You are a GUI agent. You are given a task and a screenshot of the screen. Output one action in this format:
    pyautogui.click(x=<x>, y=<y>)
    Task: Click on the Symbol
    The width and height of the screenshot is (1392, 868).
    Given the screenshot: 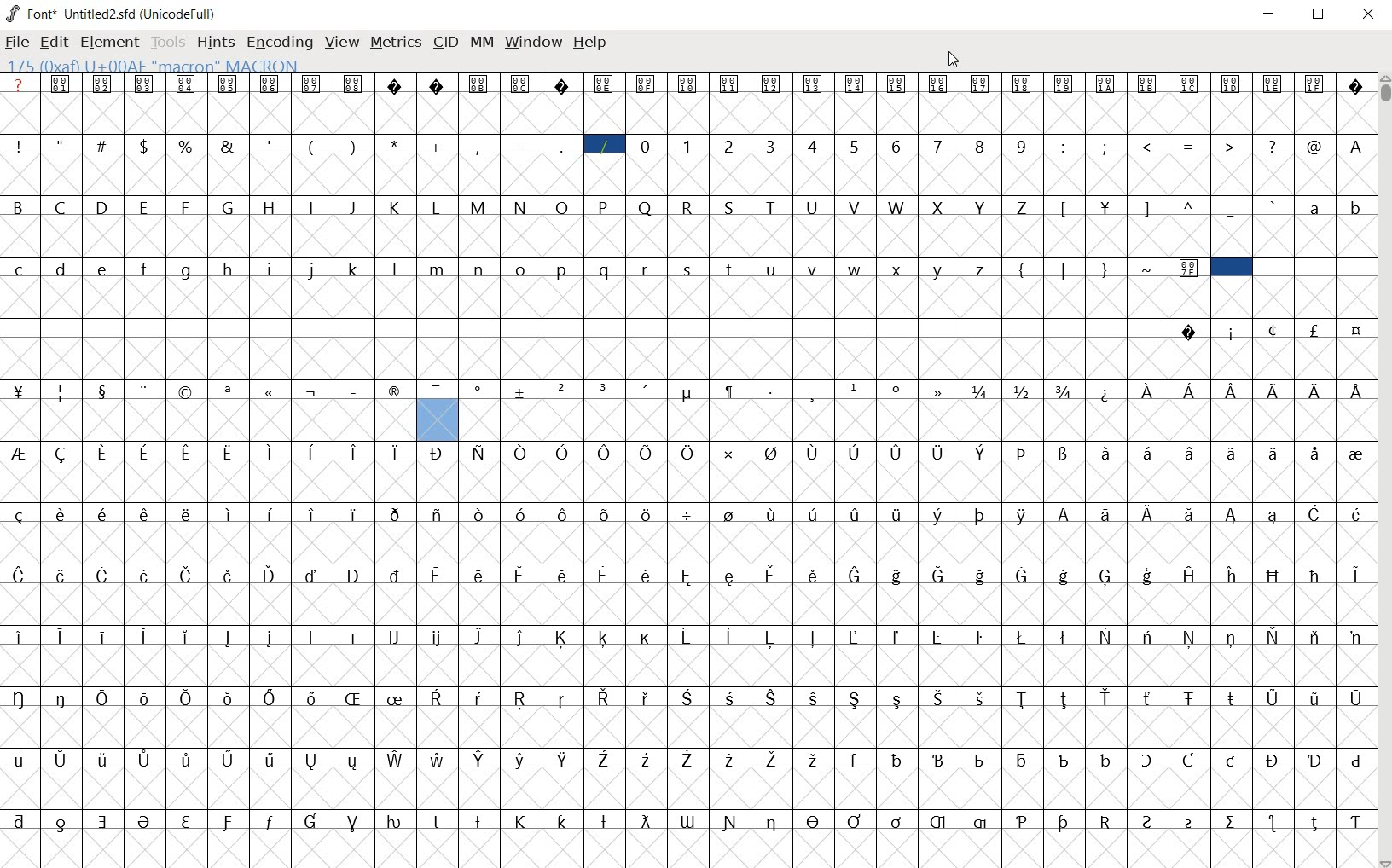 What is the action you would take?
    pyautogui.click(x=1105, y=85)
    